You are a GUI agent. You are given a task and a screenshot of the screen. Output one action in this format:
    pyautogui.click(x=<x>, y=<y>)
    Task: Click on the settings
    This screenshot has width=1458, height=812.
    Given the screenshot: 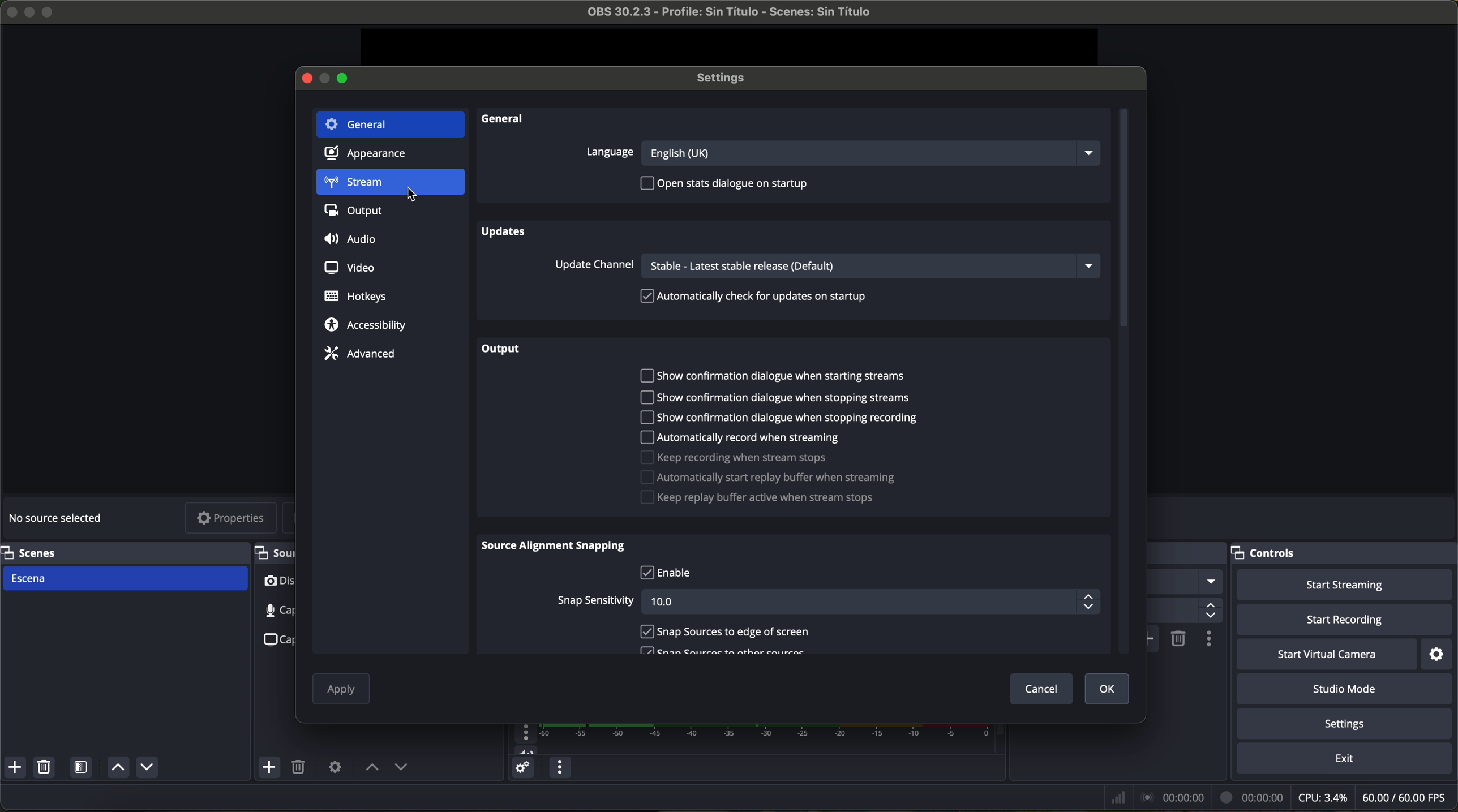 What is the action you would take?
    pyautogui.click(x=1347, y=725)
    